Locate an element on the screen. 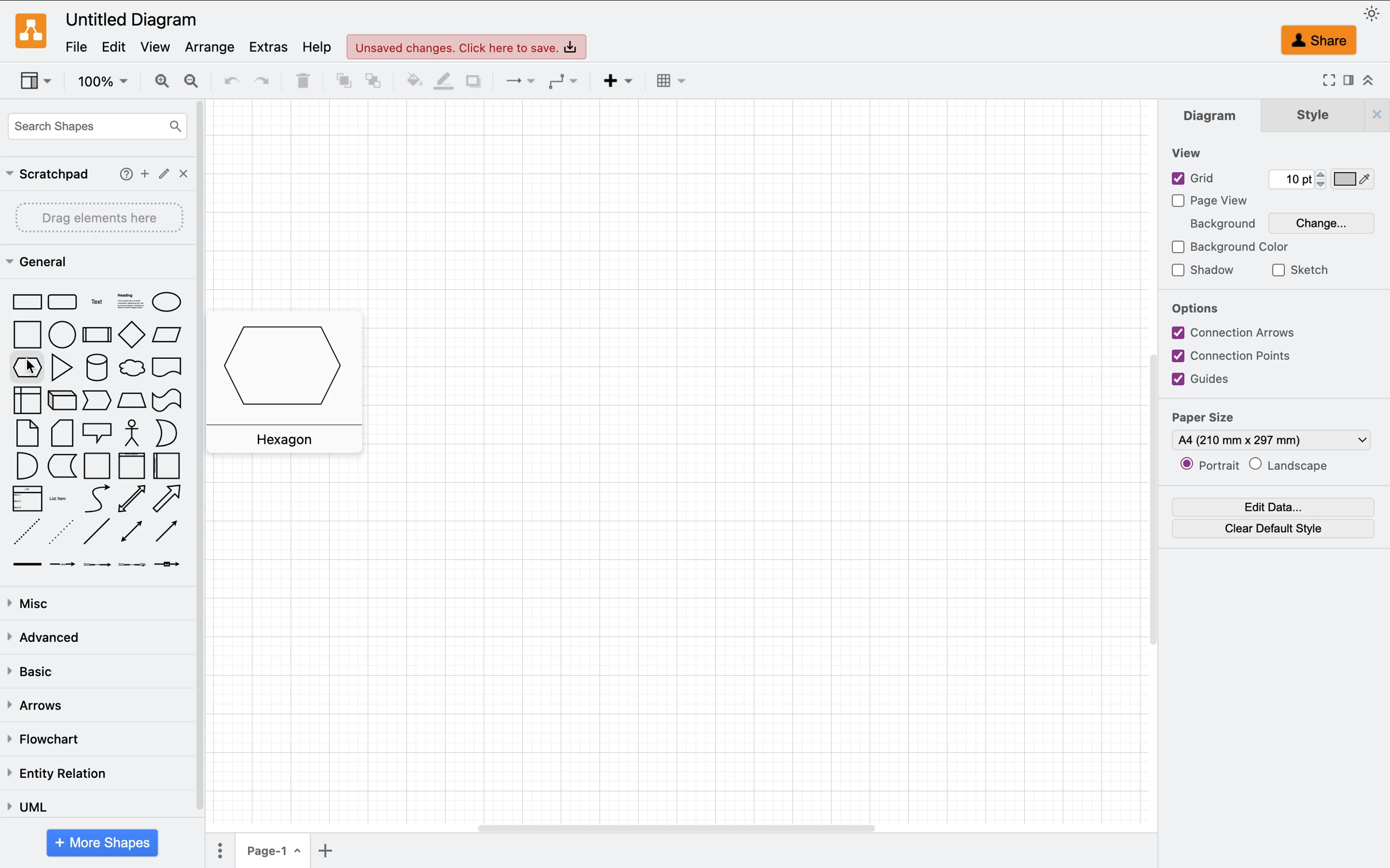  list is located at coordinates (25, 499).